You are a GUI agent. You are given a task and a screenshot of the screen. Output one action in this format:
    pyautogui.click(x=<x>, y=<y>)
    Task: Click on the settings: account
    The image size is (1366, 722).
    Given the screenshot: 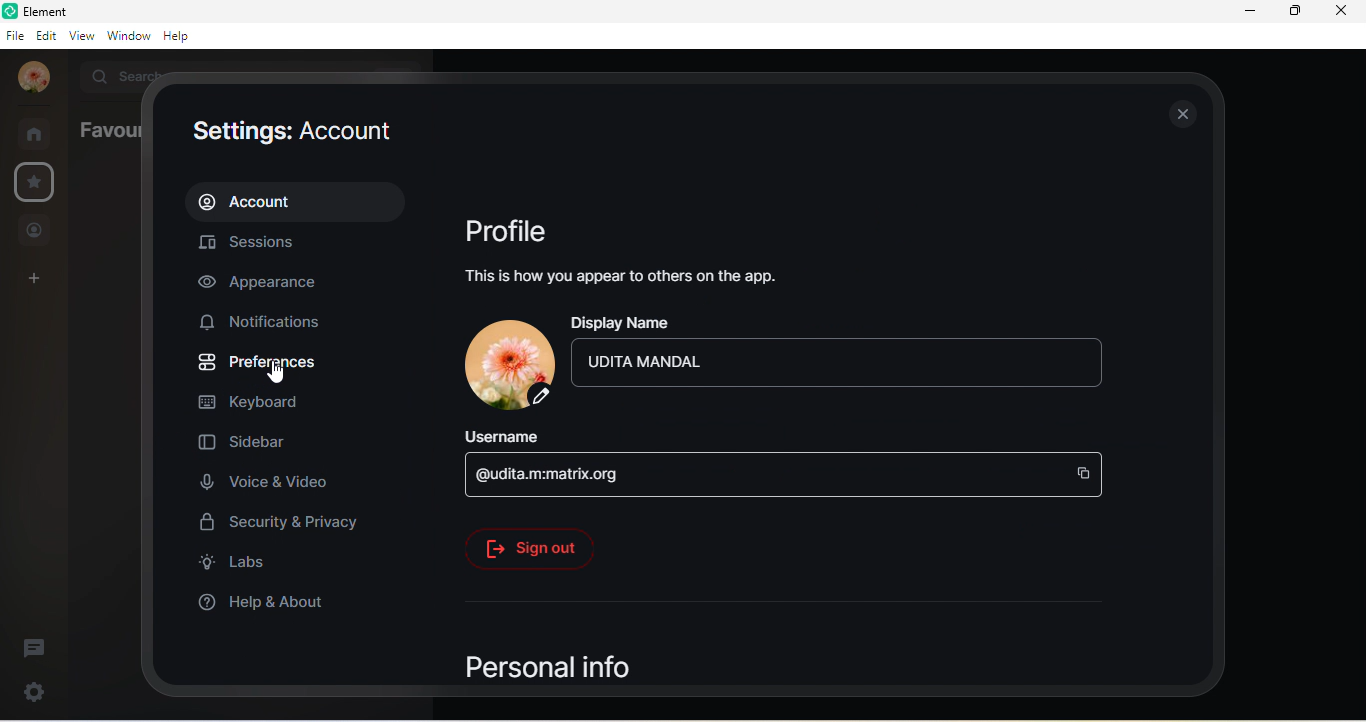 What is the action you would take?
    pyautogui.click(x=302, y=130)
    